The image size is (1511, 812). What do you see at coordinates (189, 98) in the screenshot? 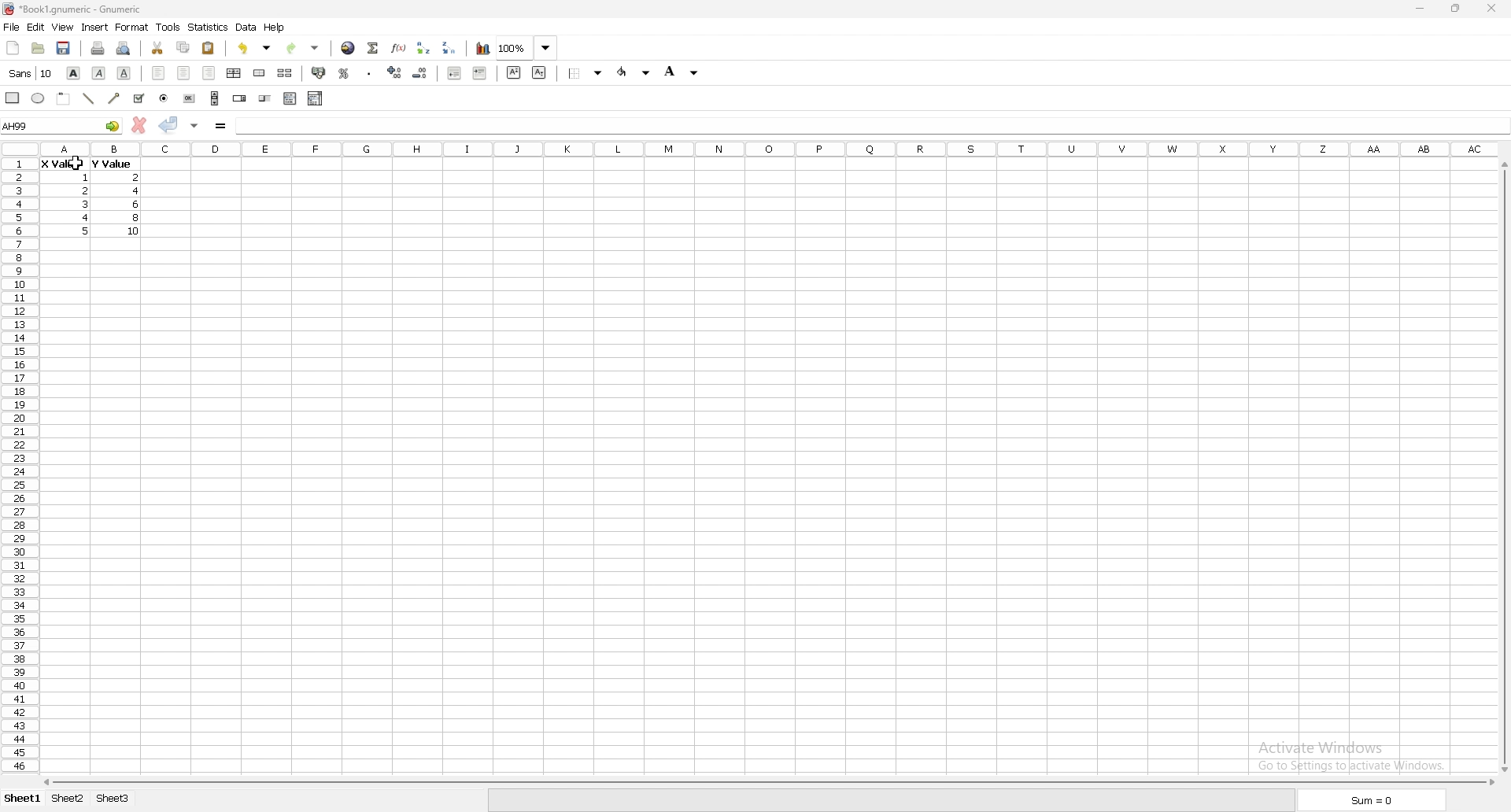
I see `button` at bounding box center [189, 98].